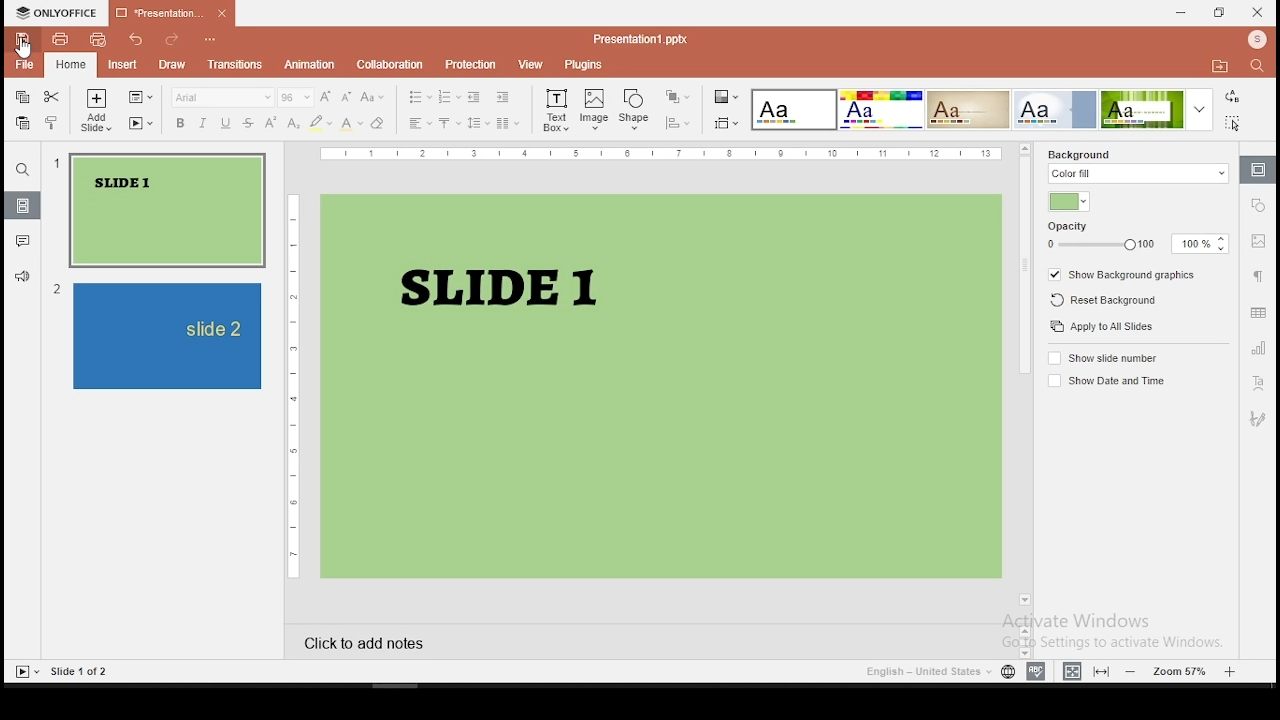 The width and height of the screenshot is (1280, 720). Describe the element at coordinates (23, 275) in the screenshot. I see `feedback and support` at that location.